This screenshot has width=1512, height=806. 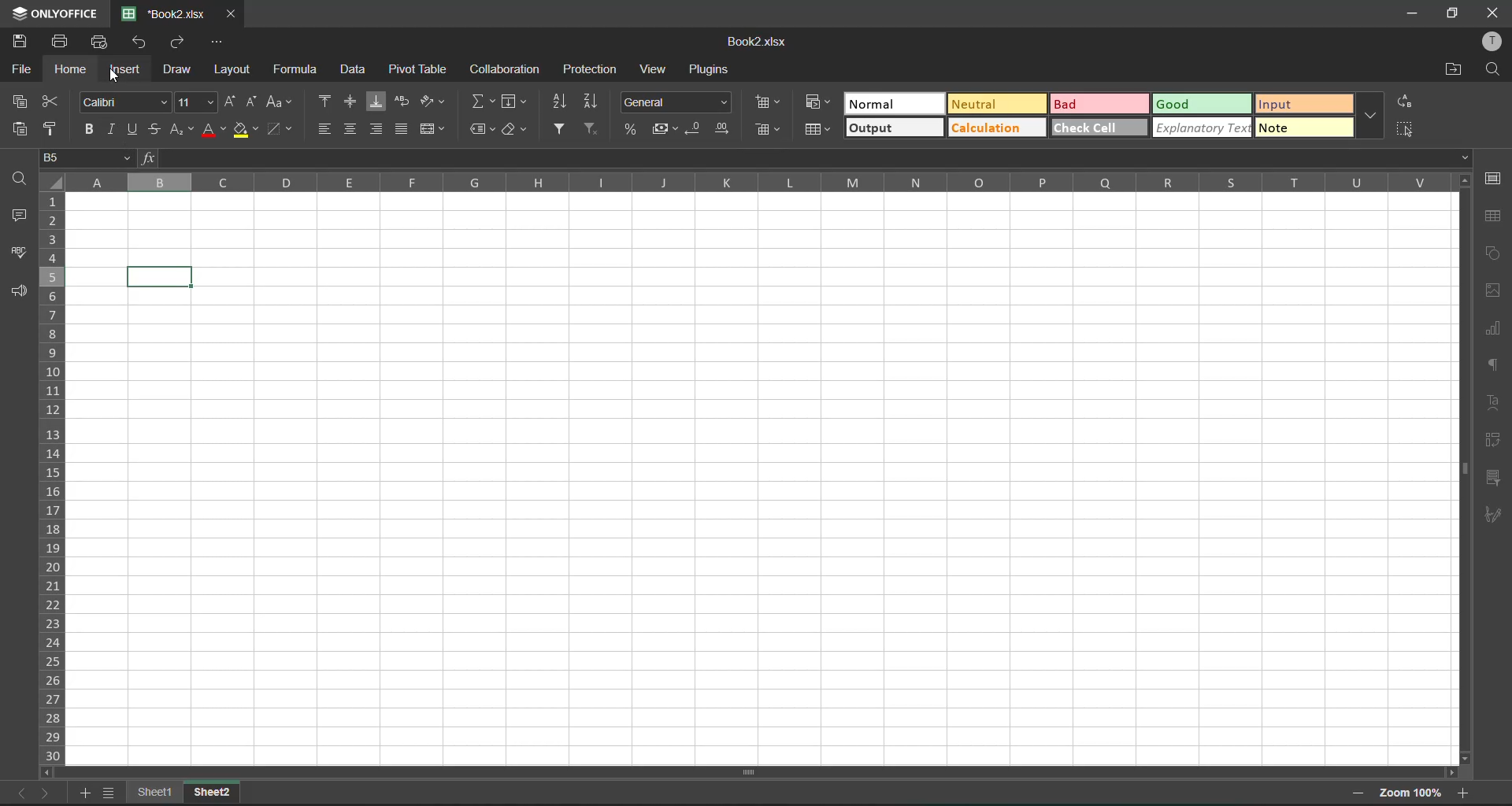 I want to click on align middle, so click(x=349, y=100).